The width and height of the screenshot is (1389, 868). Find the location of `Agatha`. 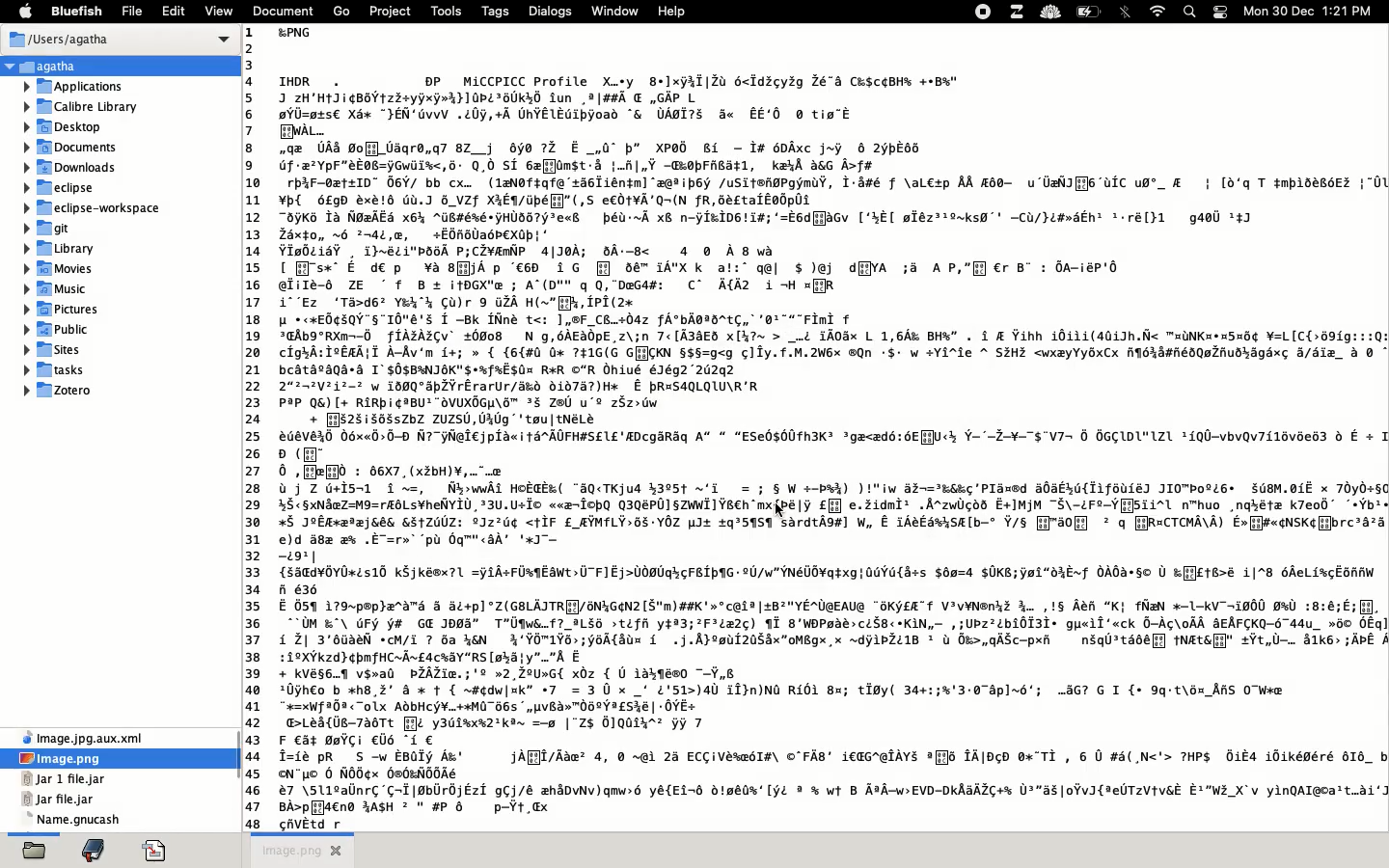

Agatha is located at coordinates (47, 66).